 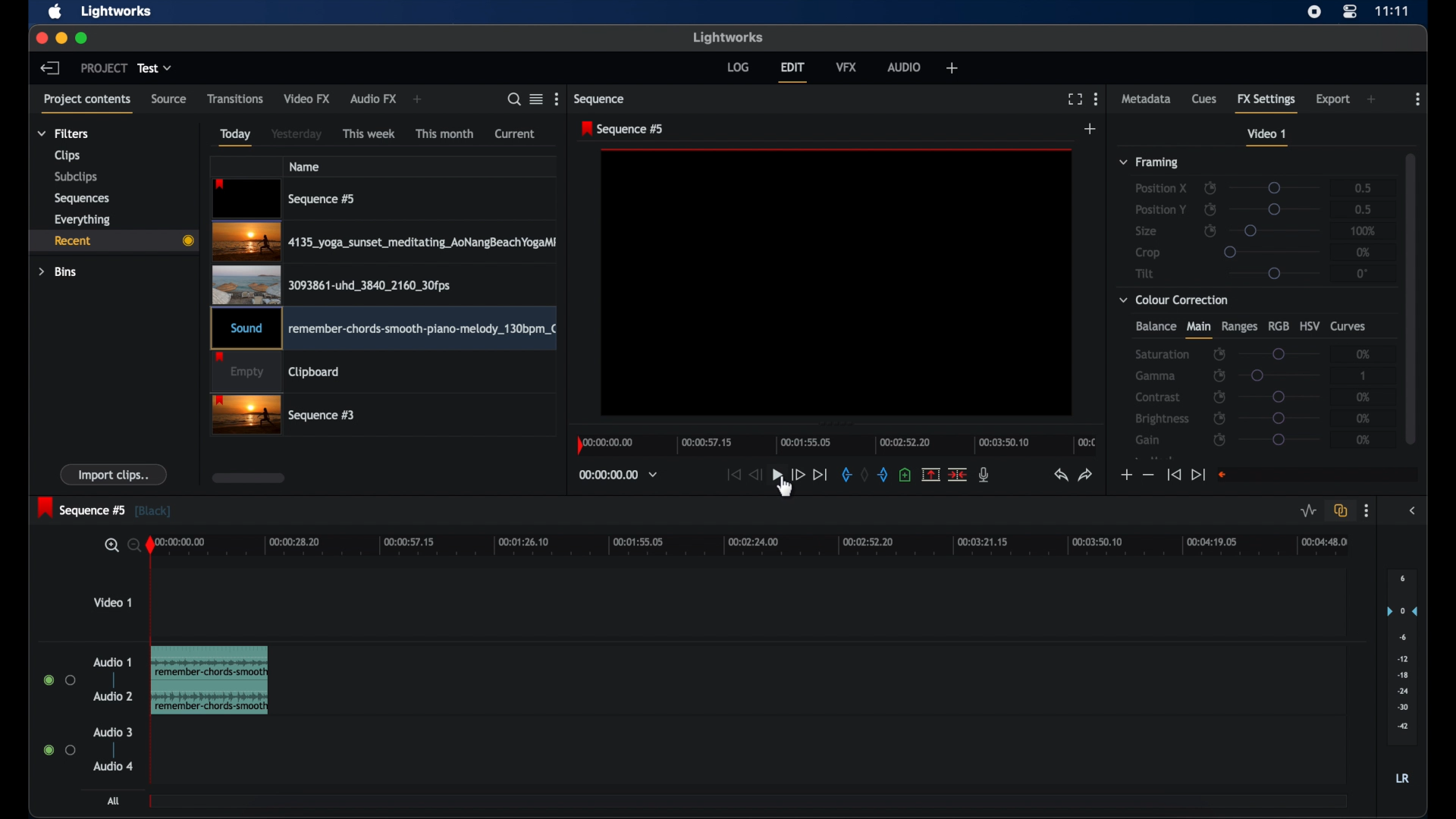 I want to click on cues, so click(x=1204, y=98).